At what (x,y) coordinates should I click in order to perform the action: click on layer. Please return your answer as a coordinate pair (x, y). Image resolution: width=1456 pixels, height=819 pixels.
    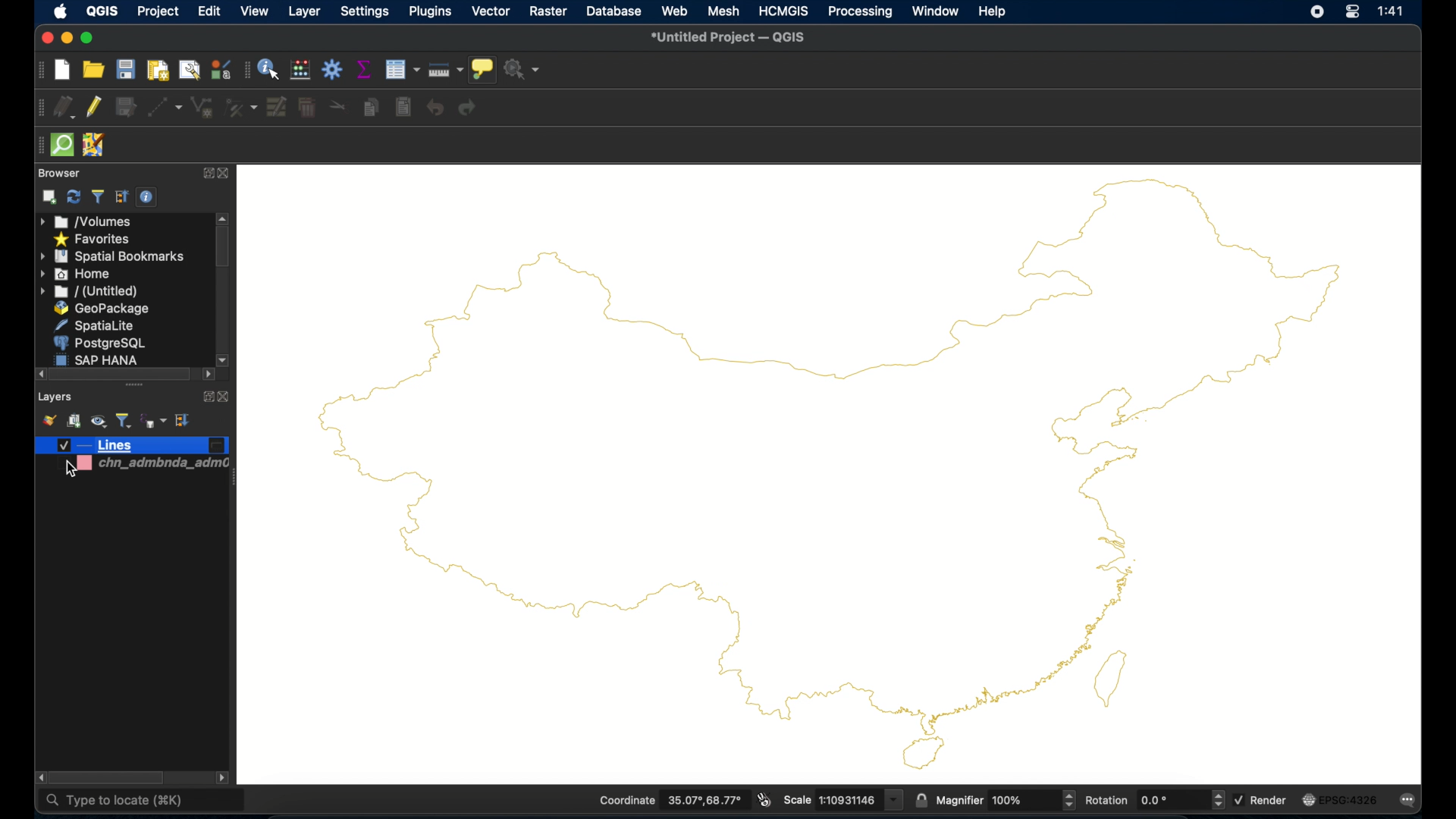
    Looking at the image, I should click on (303, 12).